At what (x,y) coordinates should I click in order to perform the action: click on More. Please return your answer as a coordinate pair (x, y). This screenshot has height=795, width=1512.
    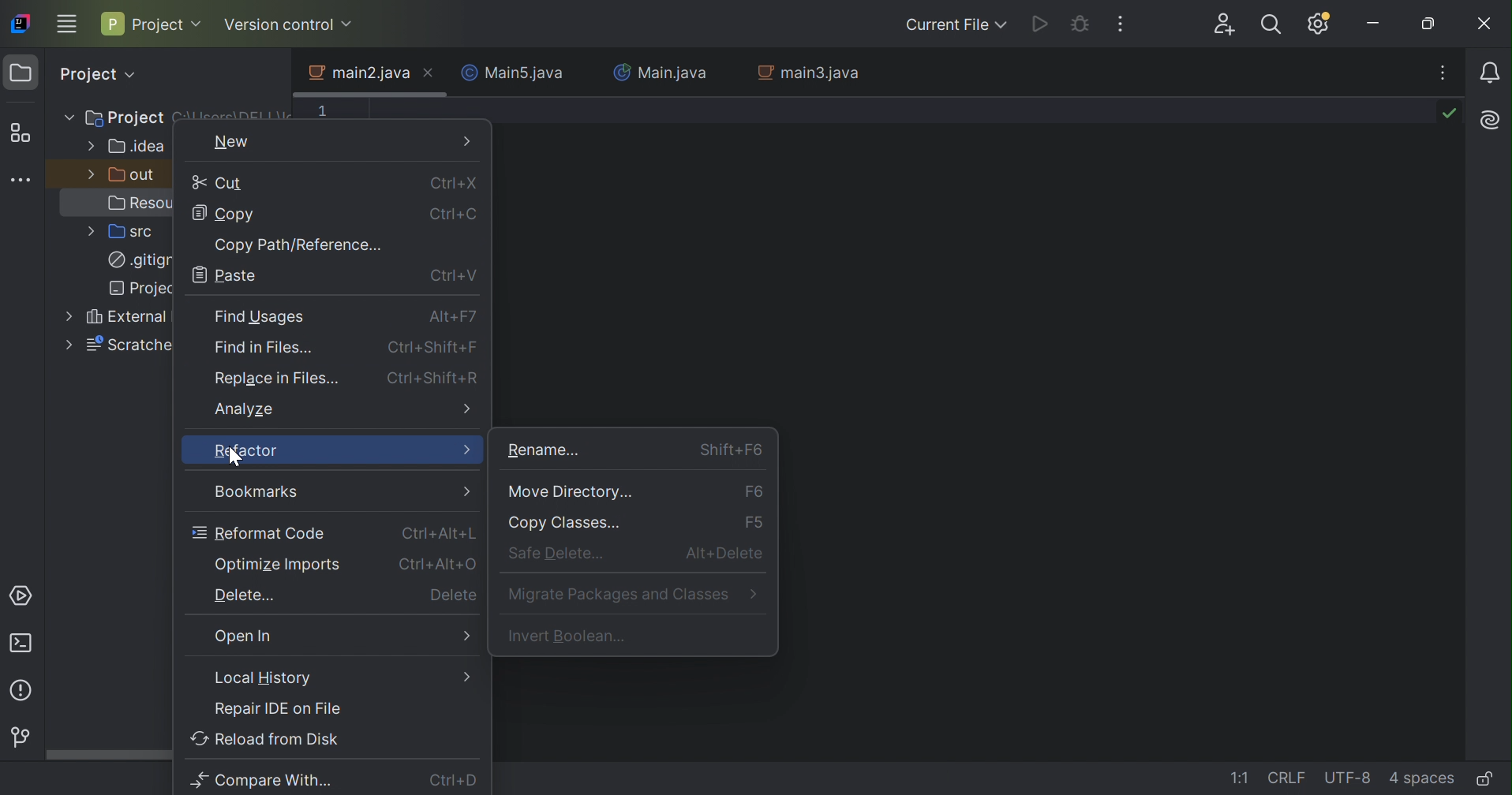
    Looking at the image, I should click on (466, 141).